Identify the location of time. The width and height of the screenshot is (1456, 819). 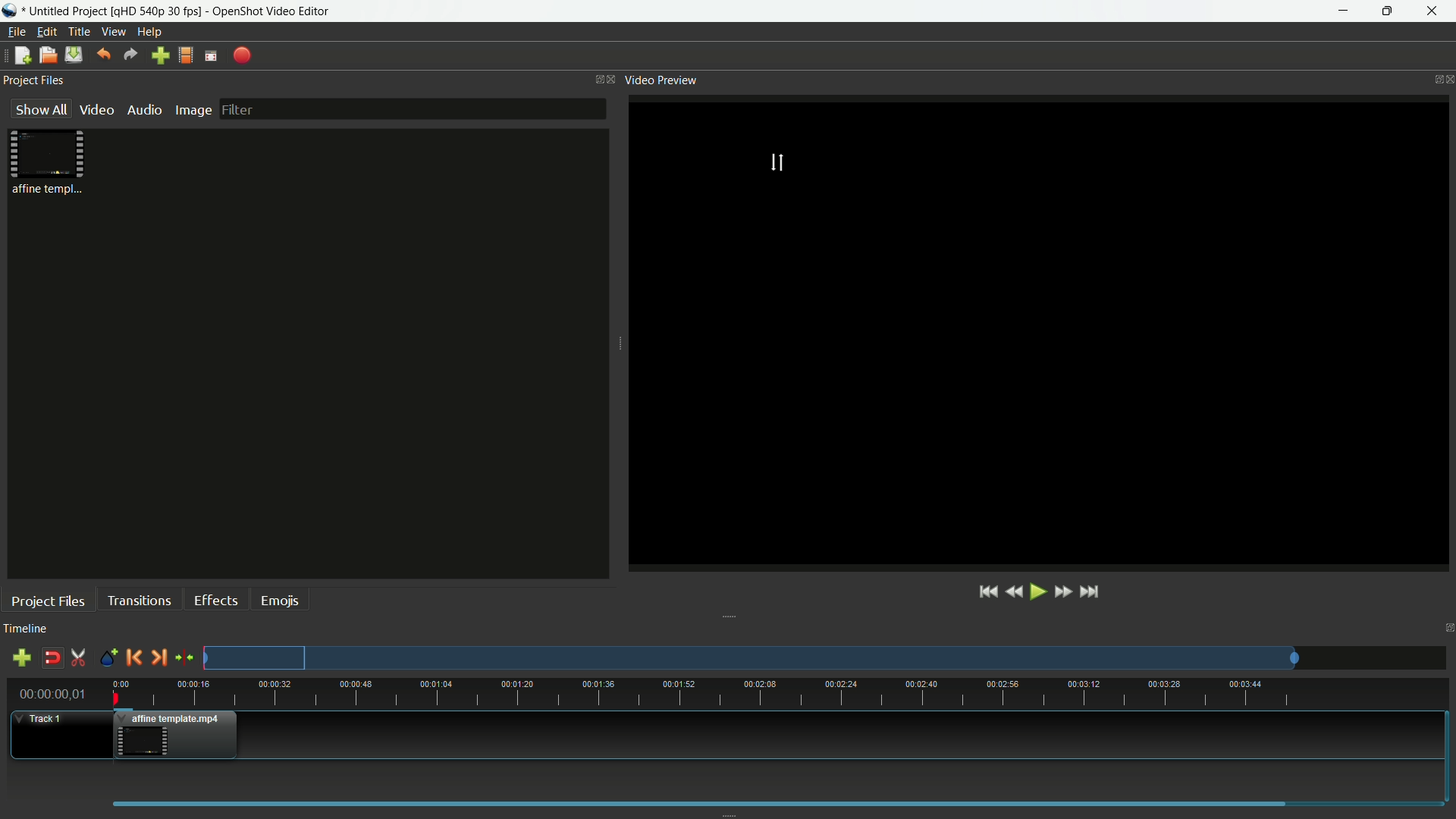
(781, 692).